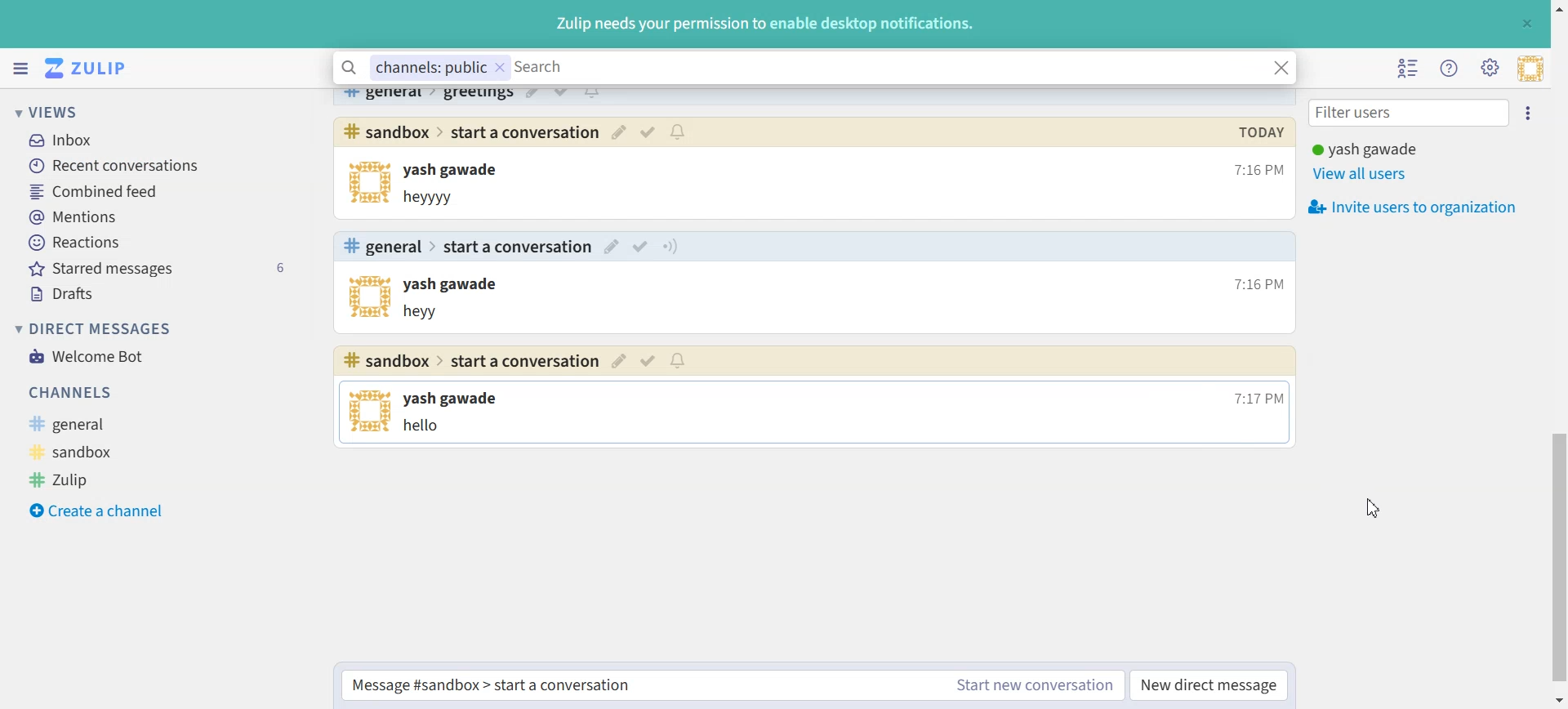 Image resolution: width=1568 pixels, height=709 pixels. I want to click on Mentions, so click(162, 216).